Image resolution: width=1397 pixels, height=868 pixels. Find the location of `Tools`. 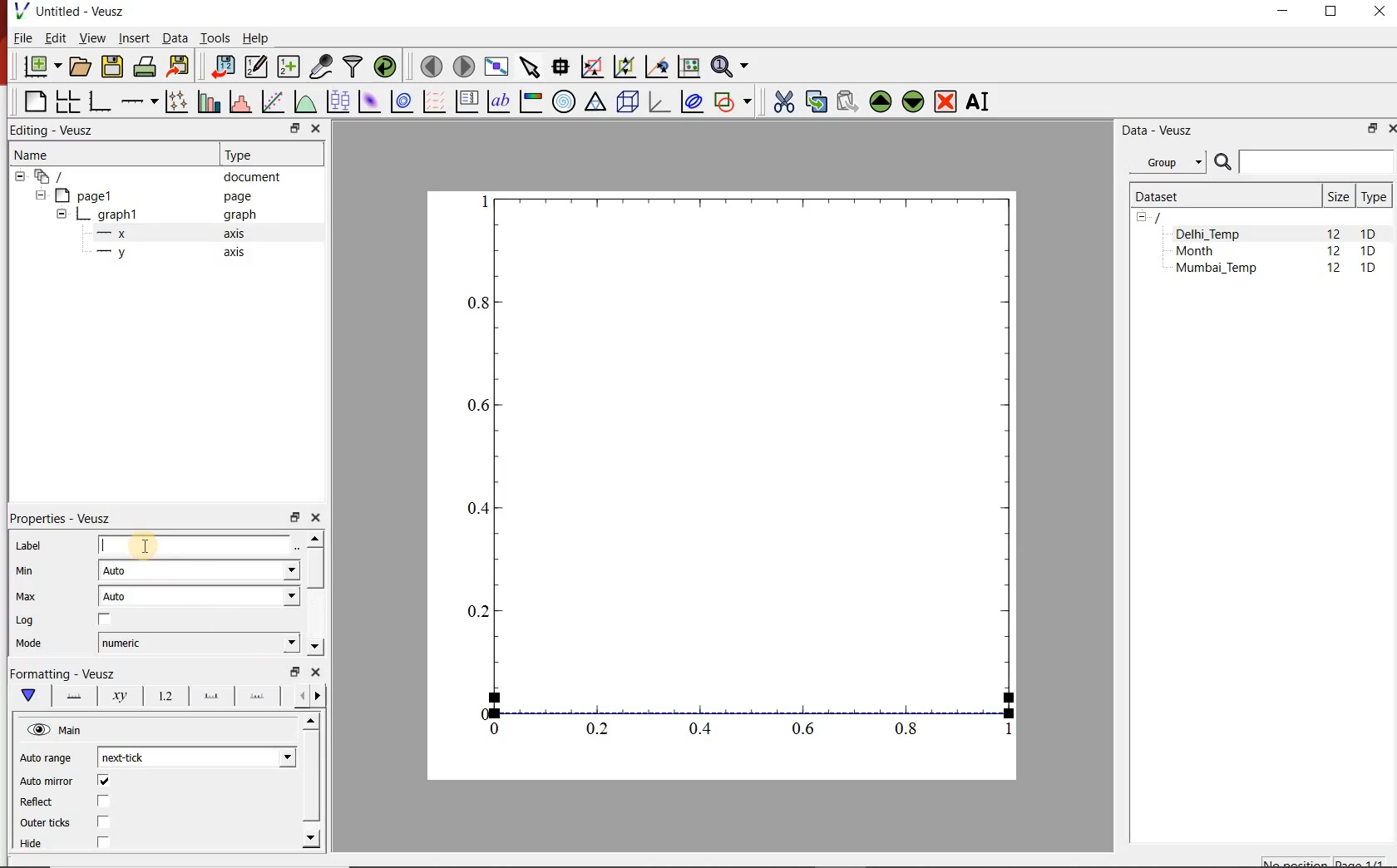

Tools is located at coordinates (216, 38).